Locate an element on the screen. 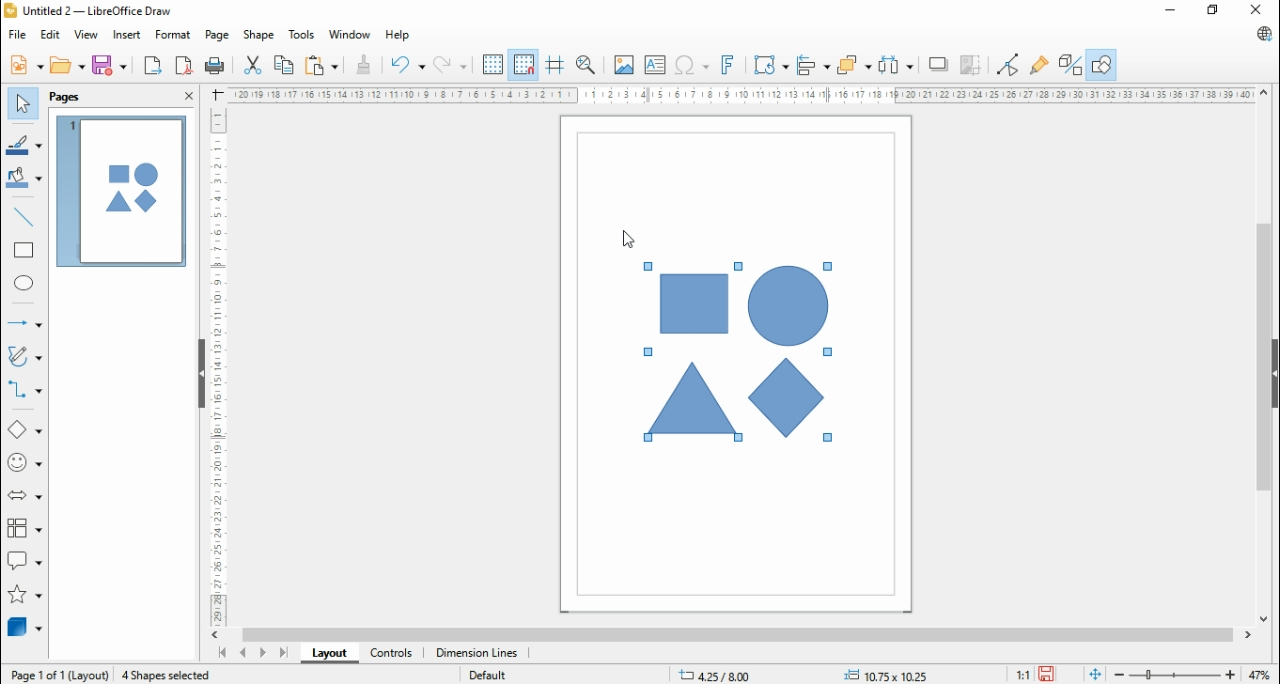 The height and width of the screenshot is (684, 1280). flowchart is located at coordinates (24, 528).